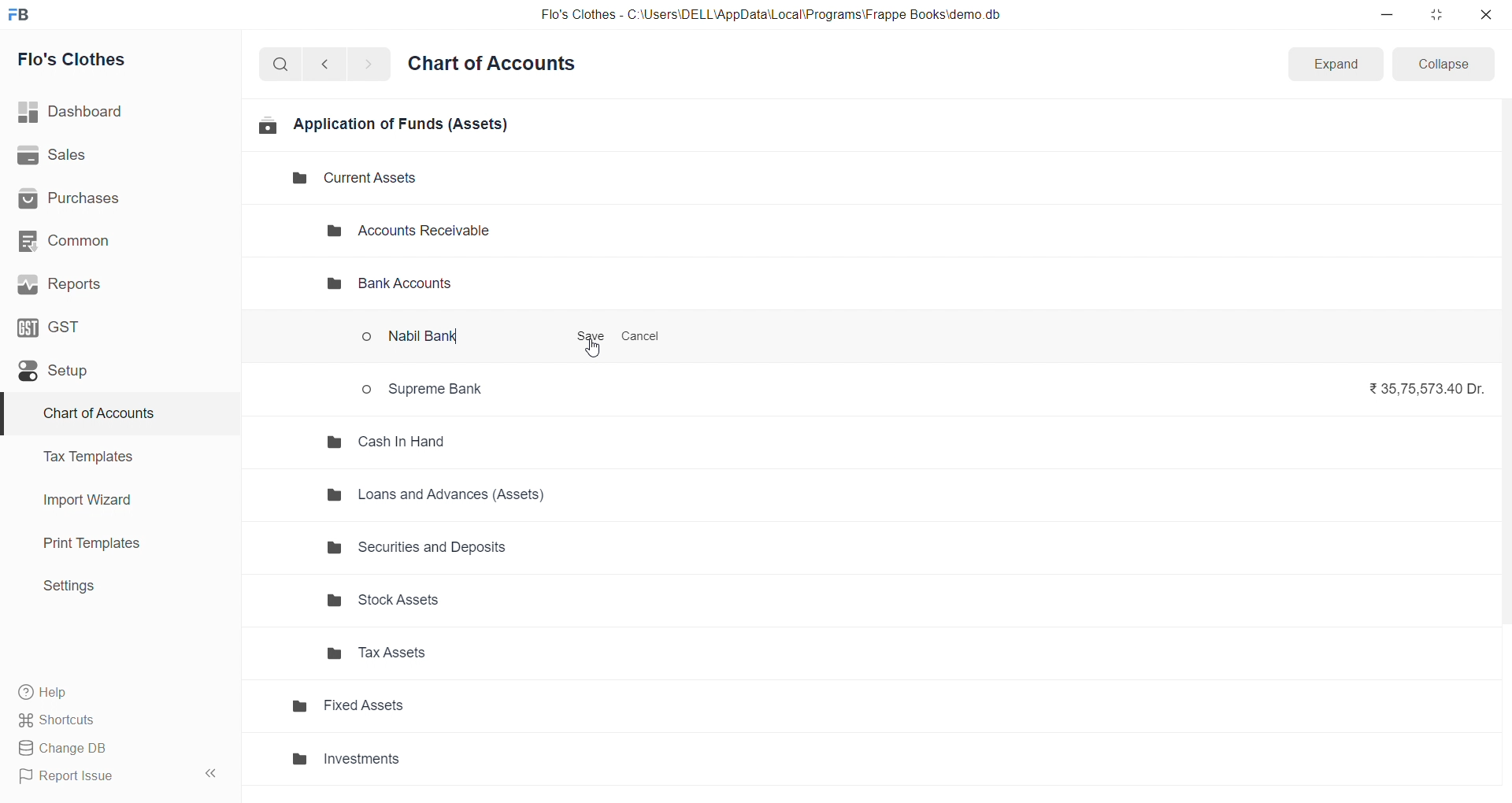 The width and height of the screenshot is (1512, 803). What do you see at coordinates (1485, 14) in the screenshot?
I see `close` at bounding box center [1485, 14].